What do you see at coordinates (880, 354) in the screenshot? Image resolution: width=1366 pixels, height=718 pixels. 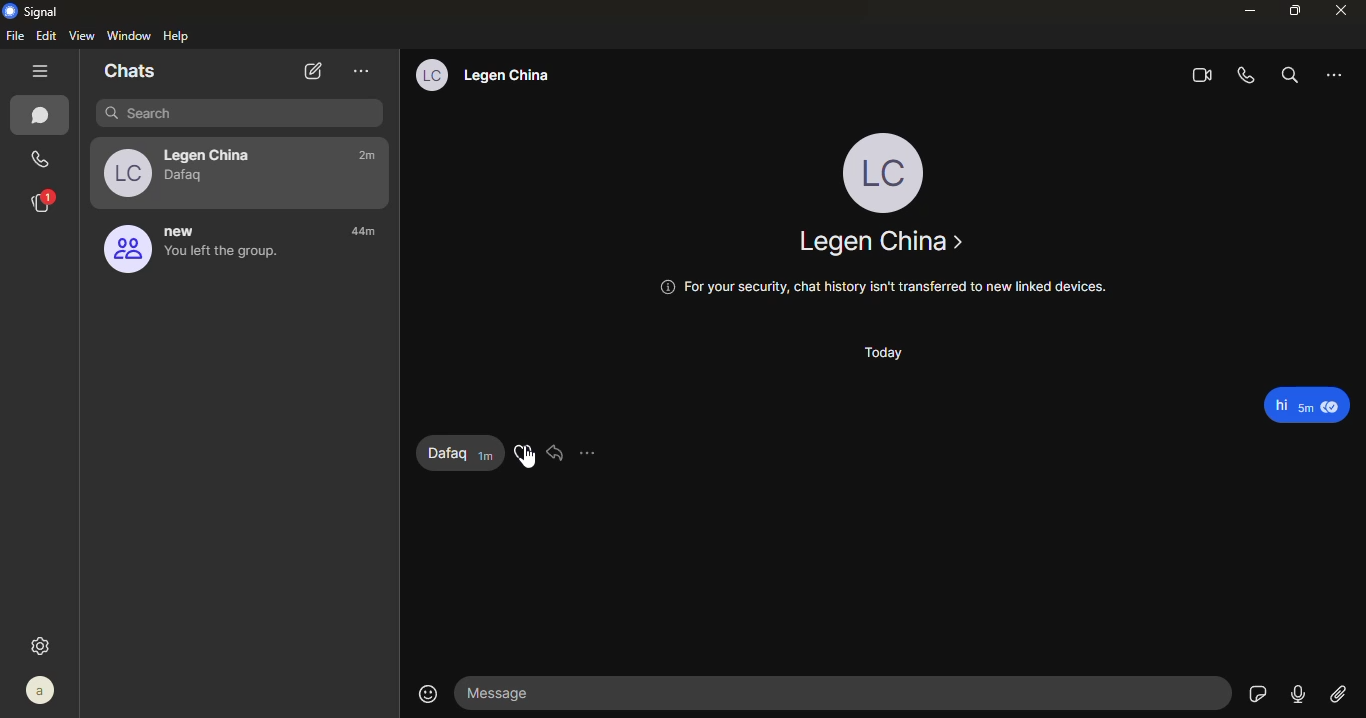 I see `today` at bounding box center [880, 354].